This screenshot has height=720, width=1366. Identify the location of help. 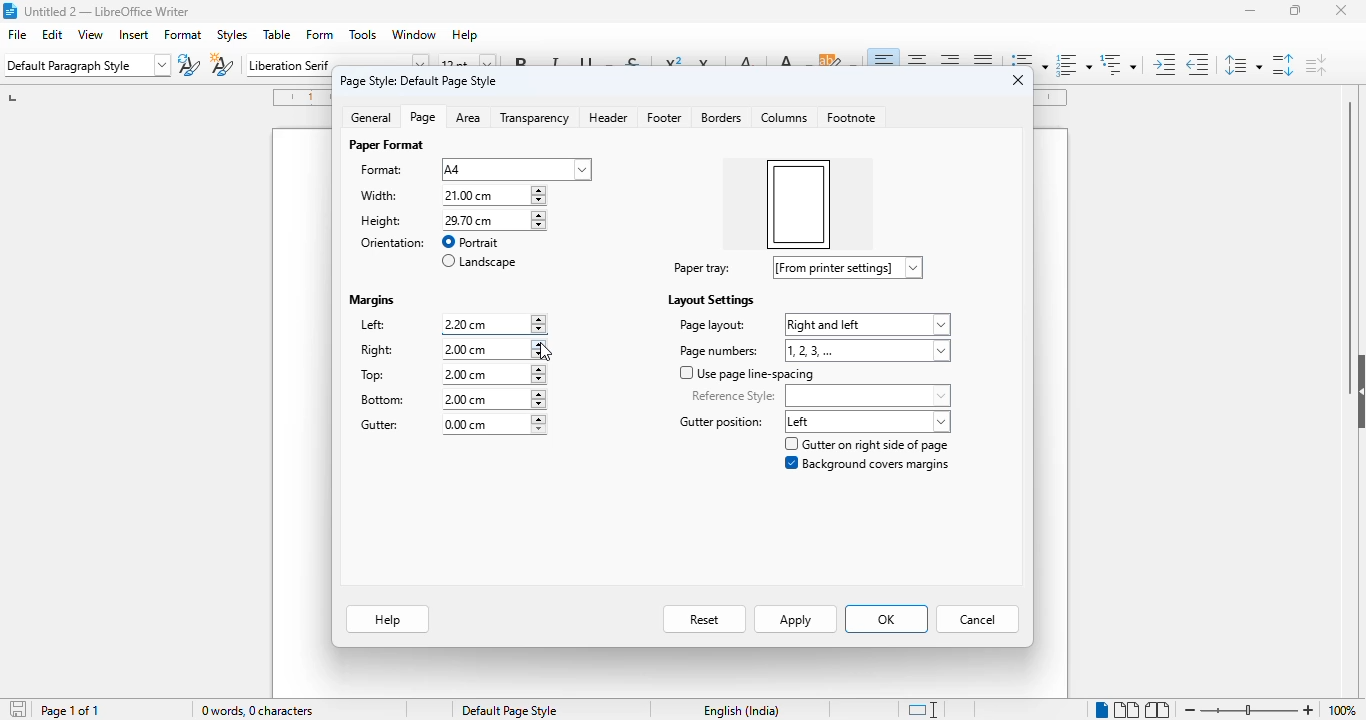
(388, 618).